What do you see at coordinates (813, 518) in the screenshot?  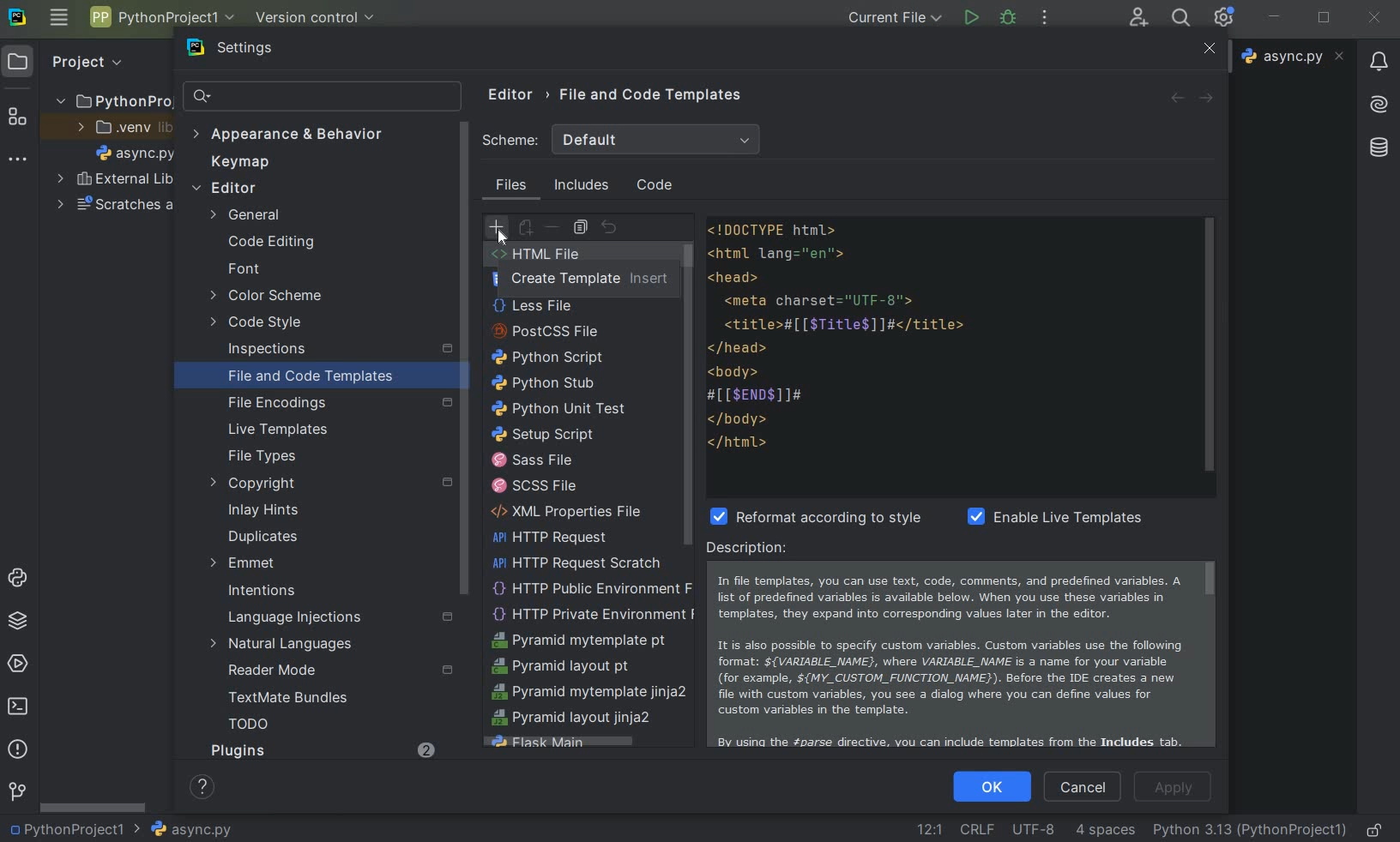 I see `reformat according to style` at bounding box center [813, 518].